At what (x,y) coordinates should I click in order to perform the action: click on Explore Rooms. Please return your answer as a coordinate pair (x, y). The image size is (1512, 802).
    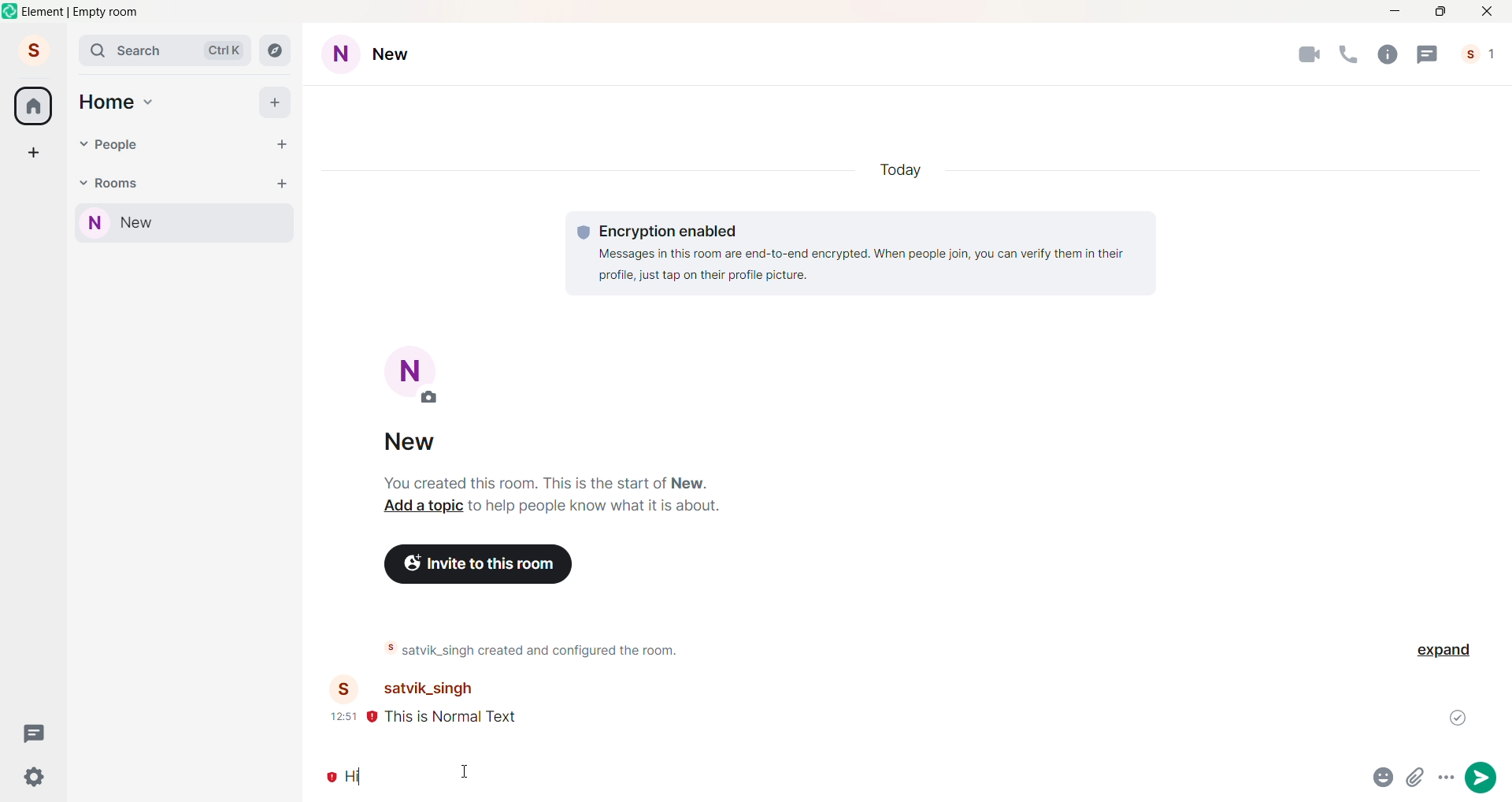
    Looking at the image, I should click on (277, 52).